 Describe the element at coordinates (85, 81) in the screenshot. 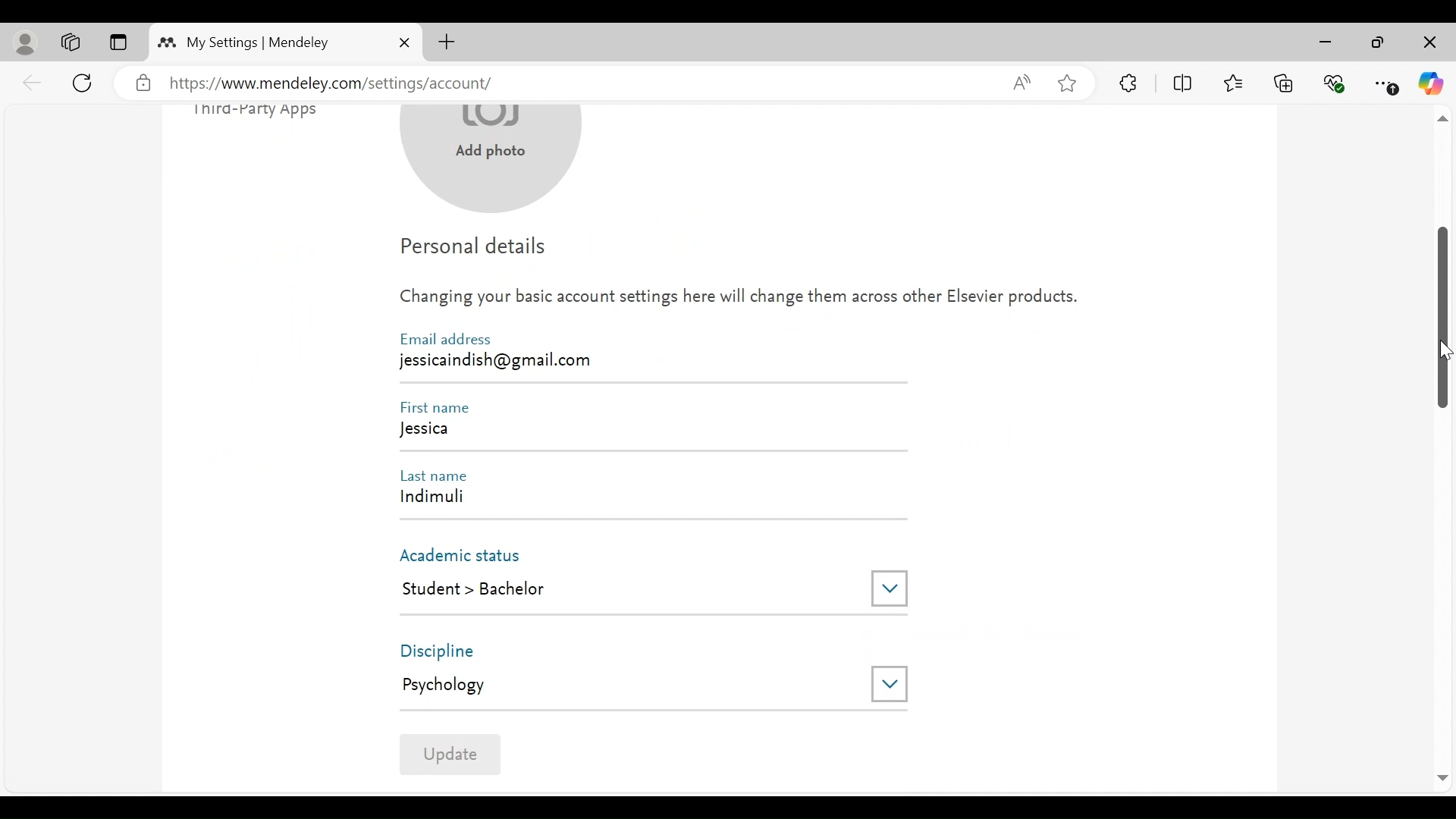

I see `Reload` at that location.